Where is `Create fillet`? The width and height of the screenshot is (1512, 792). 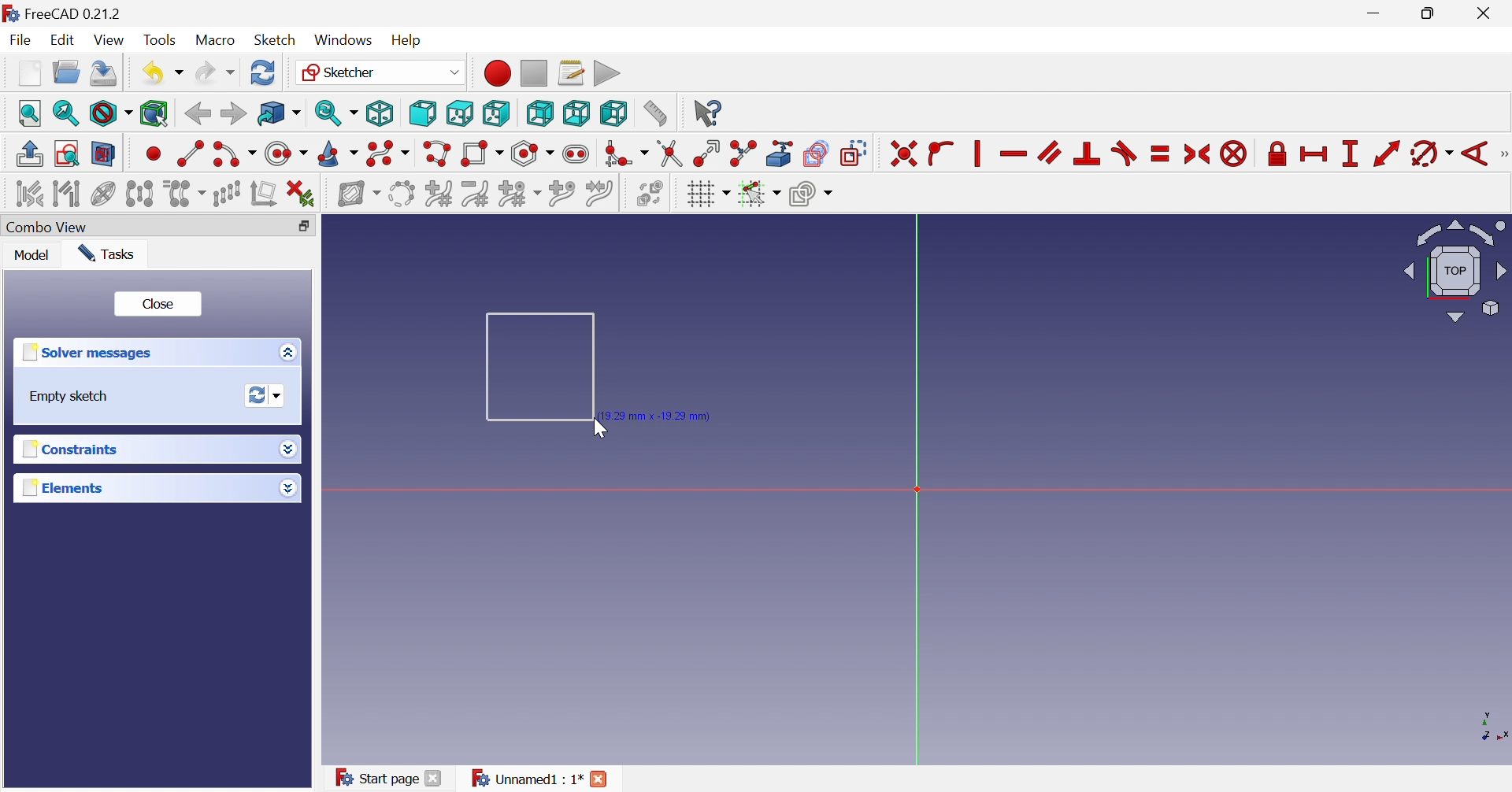 Create fillet is located at coordinates (625, 154).